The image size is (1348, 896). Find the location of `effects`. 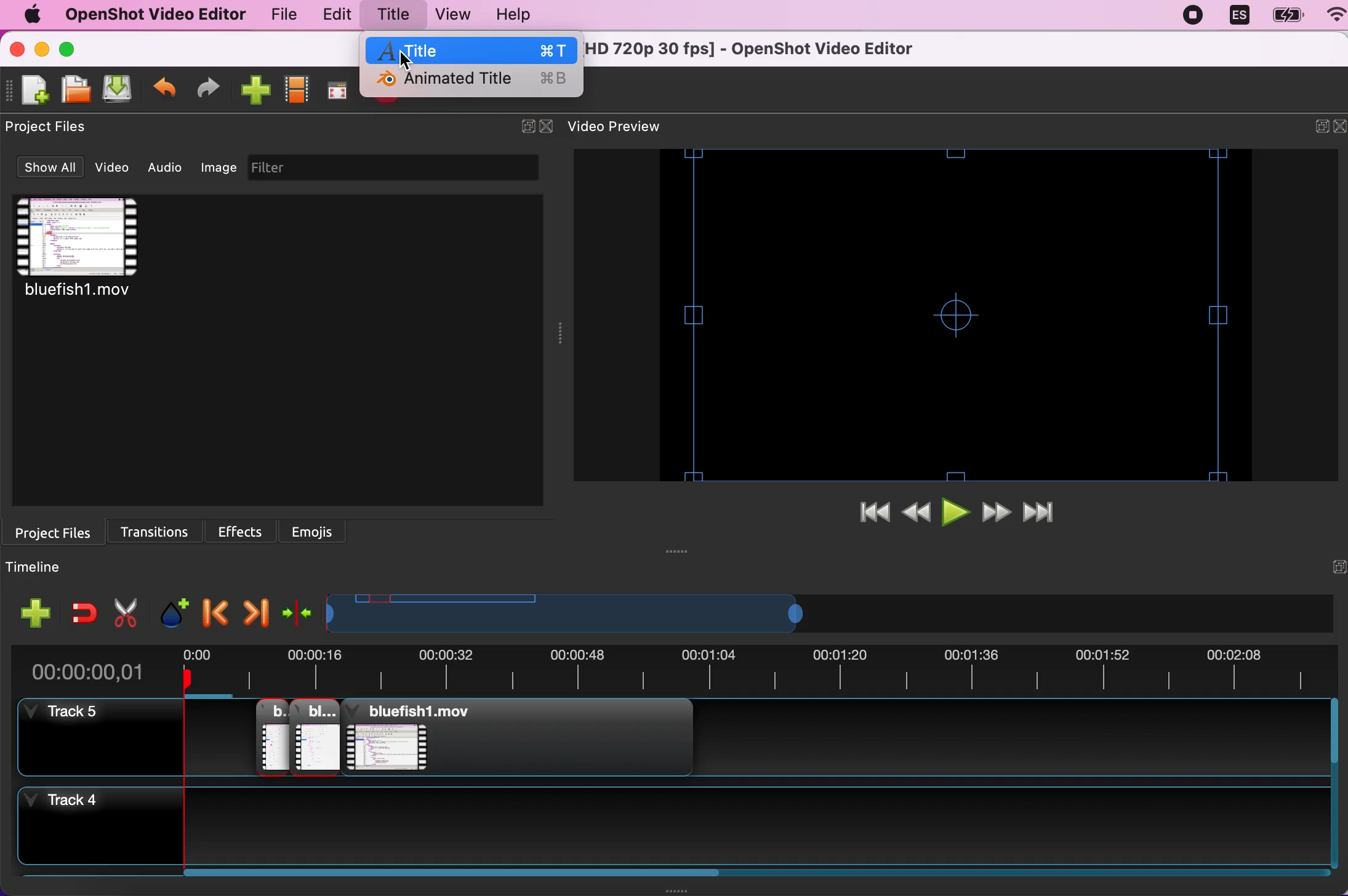

effects is located at coordinates (245, 529).